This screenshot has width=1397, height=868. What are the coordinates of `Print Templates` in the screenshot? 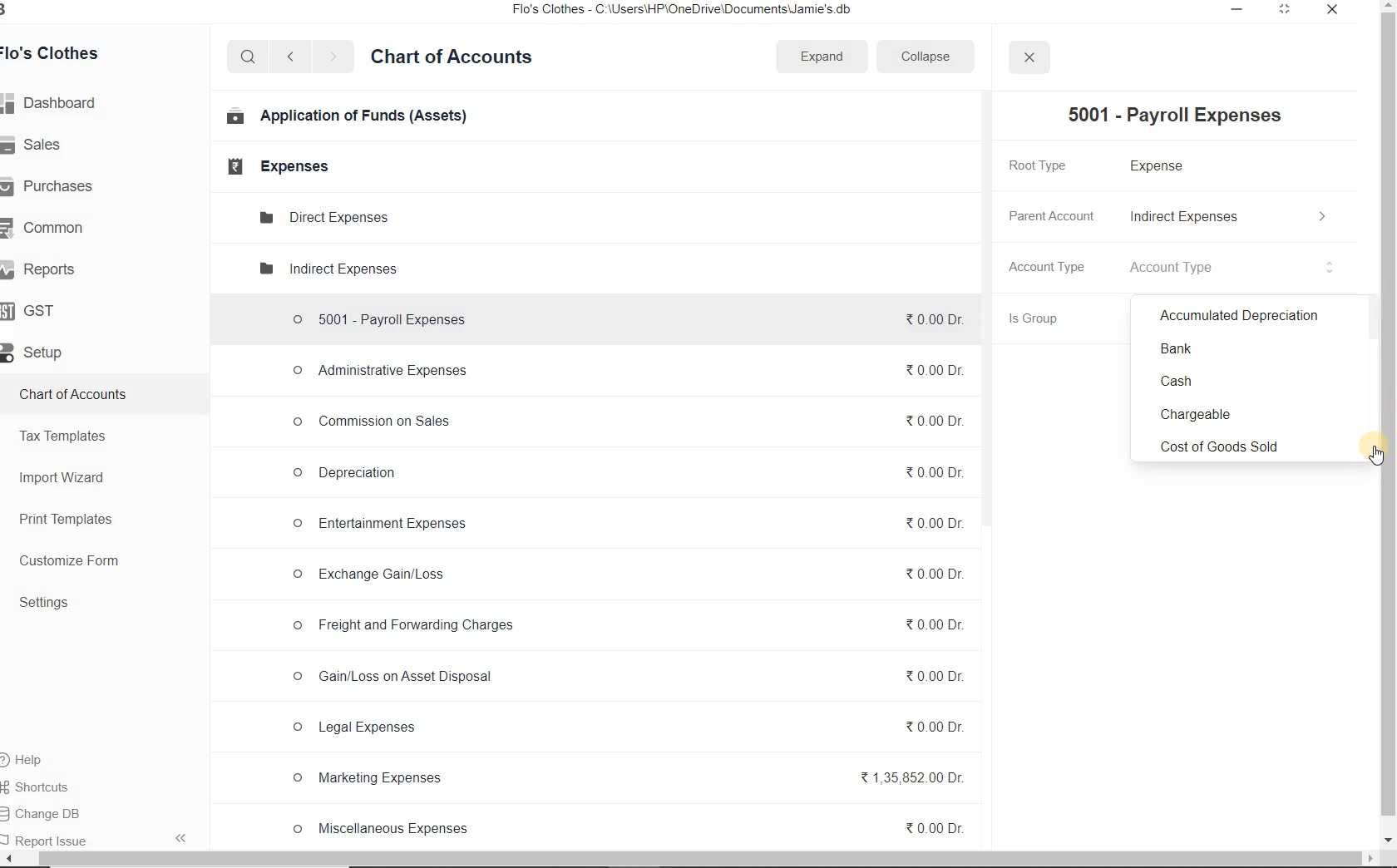 It's located at (69, 520).